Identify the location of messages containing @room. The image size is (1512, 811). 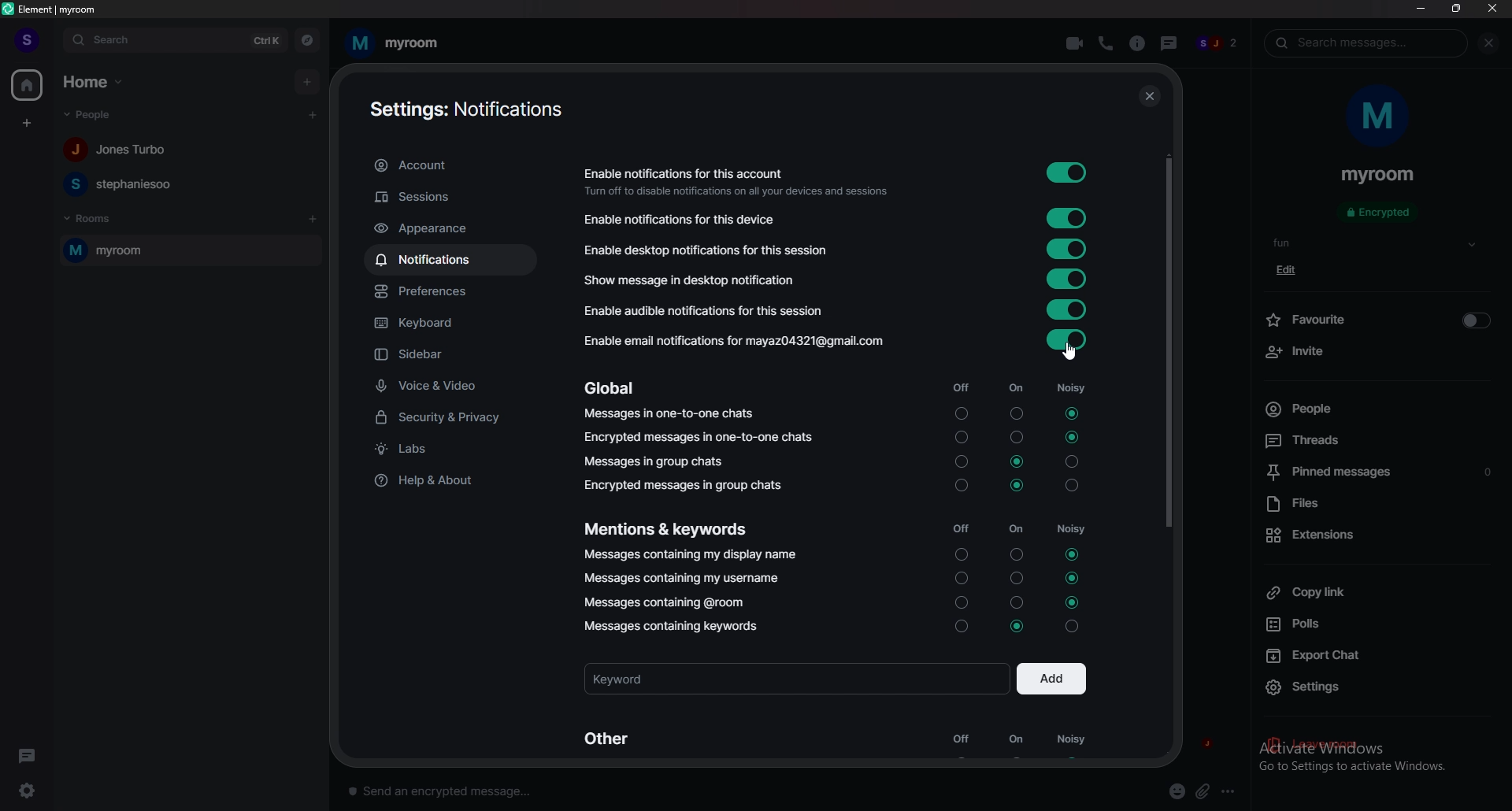
(666, 603).